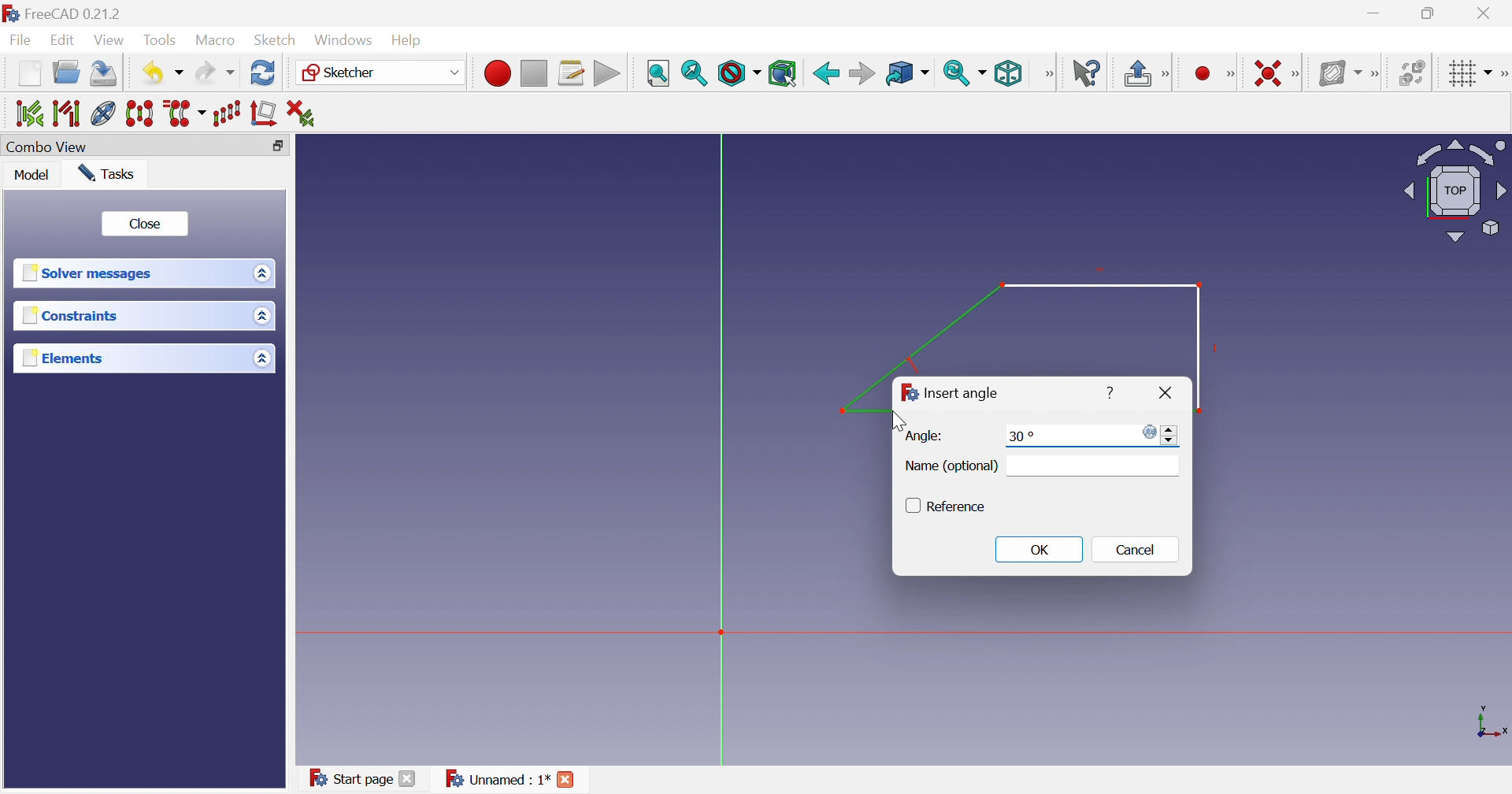 This screenshot has height=794, width=1512. Describe the element at coordinates (957, 73) in the screenshot. I see `Sync view` at that location.